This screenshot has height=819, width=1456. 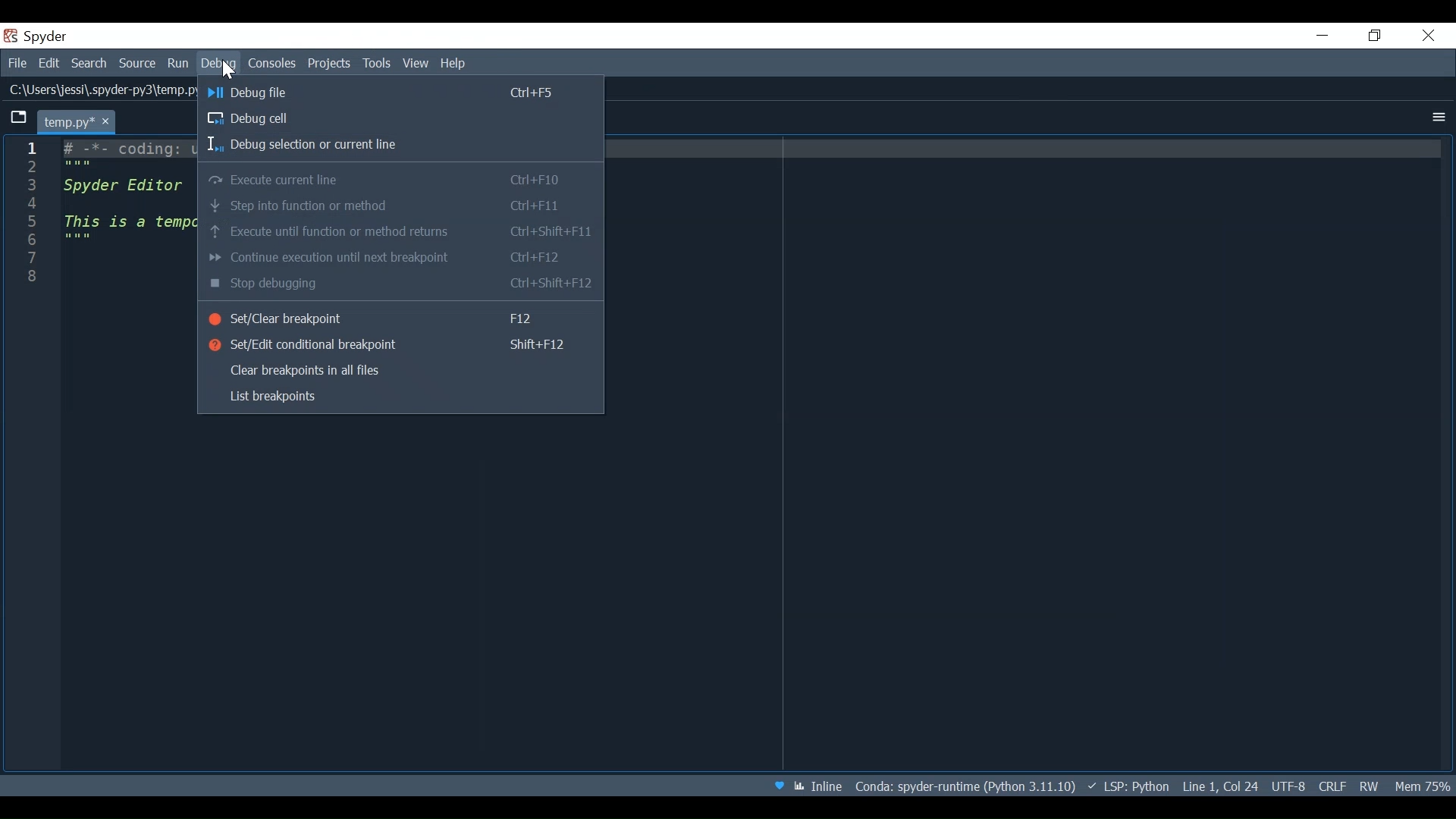 I want to click on Clear breakpoints in all files, so click(x=397, y=372).